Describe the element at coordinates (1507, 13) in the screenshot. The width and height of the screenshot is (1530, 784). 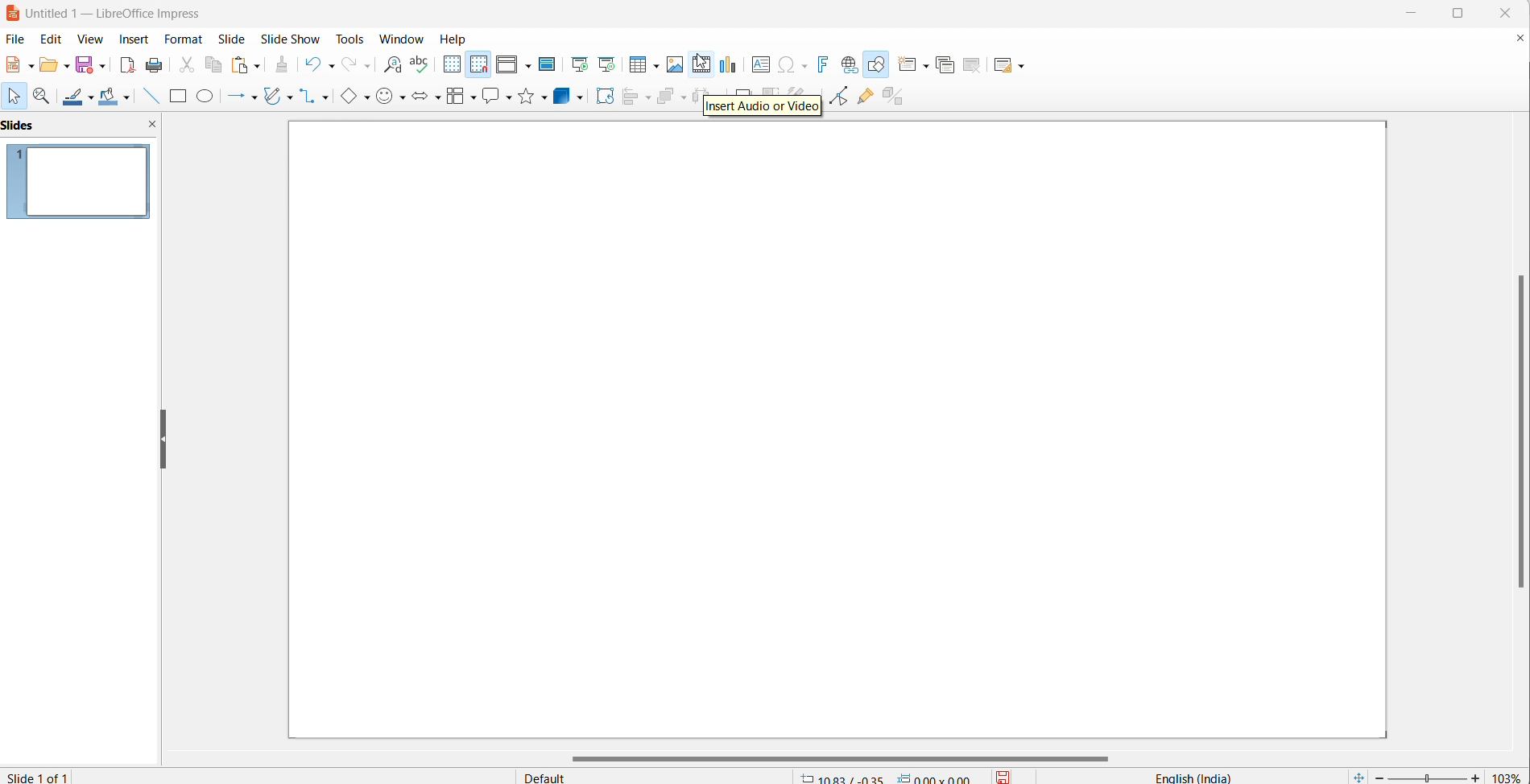
I see `close` at that location.